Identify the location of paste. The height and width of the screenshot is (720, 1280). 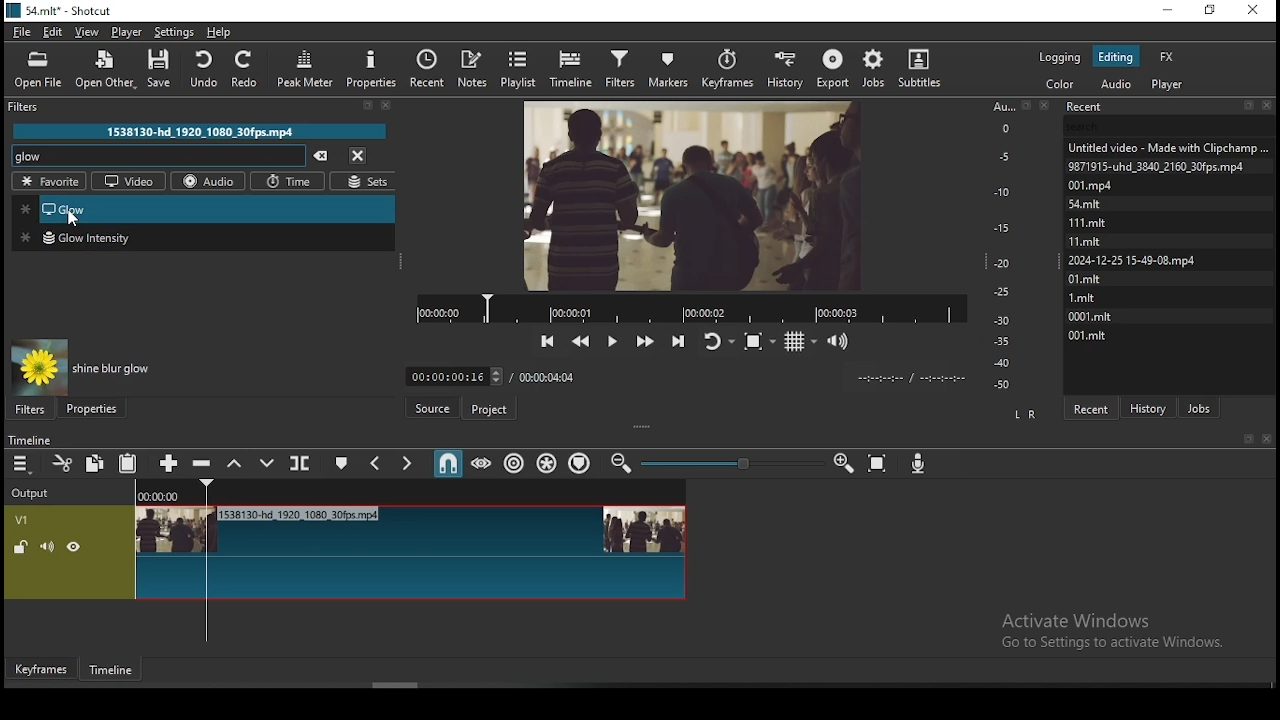
(129, 464).